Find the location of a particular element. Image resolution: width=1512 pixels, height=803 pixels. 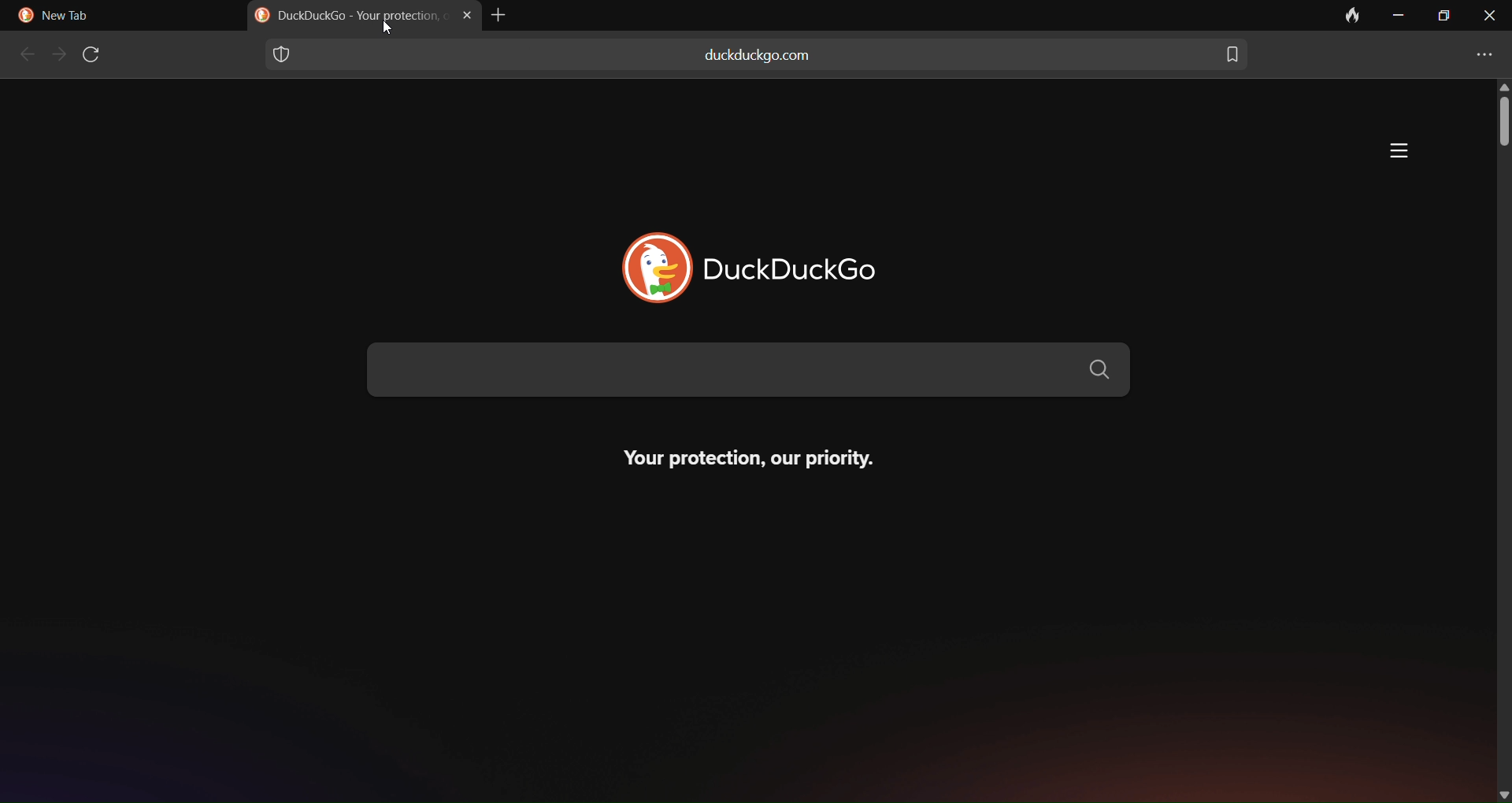

bookmark is located at coordinates (1234, 52).